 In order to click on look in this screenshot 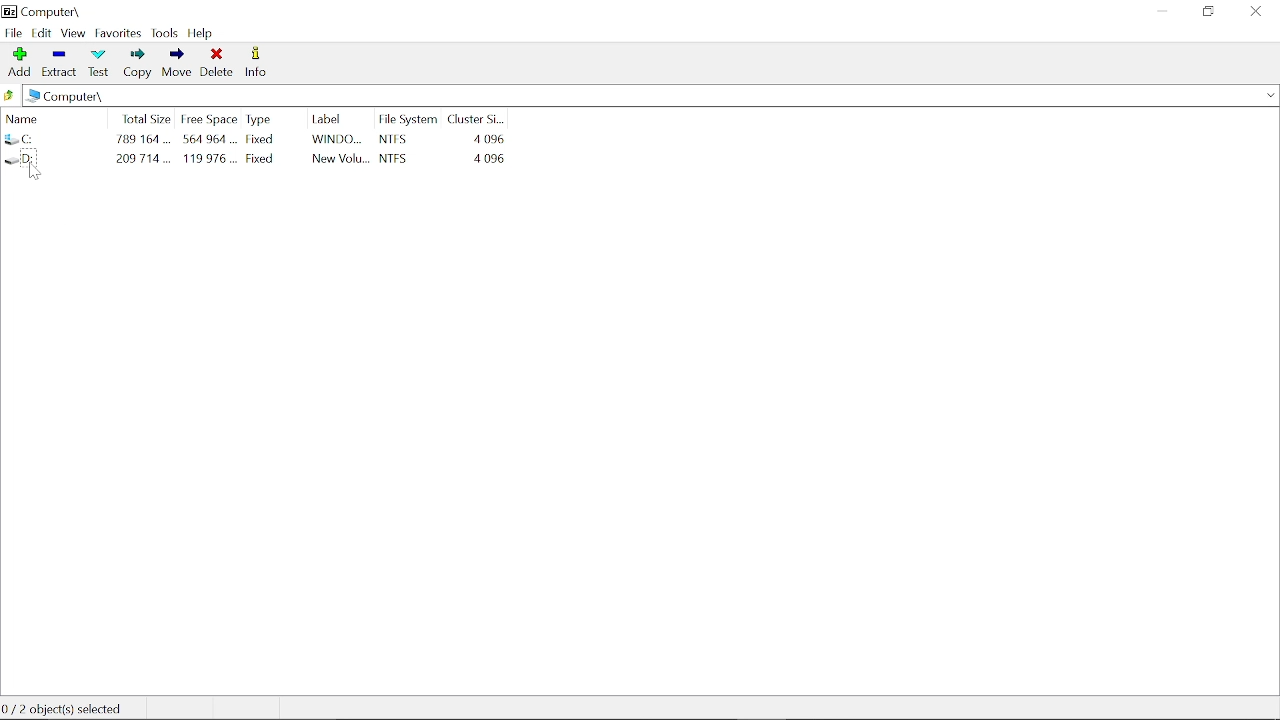, I will do `click(166, 33)`.